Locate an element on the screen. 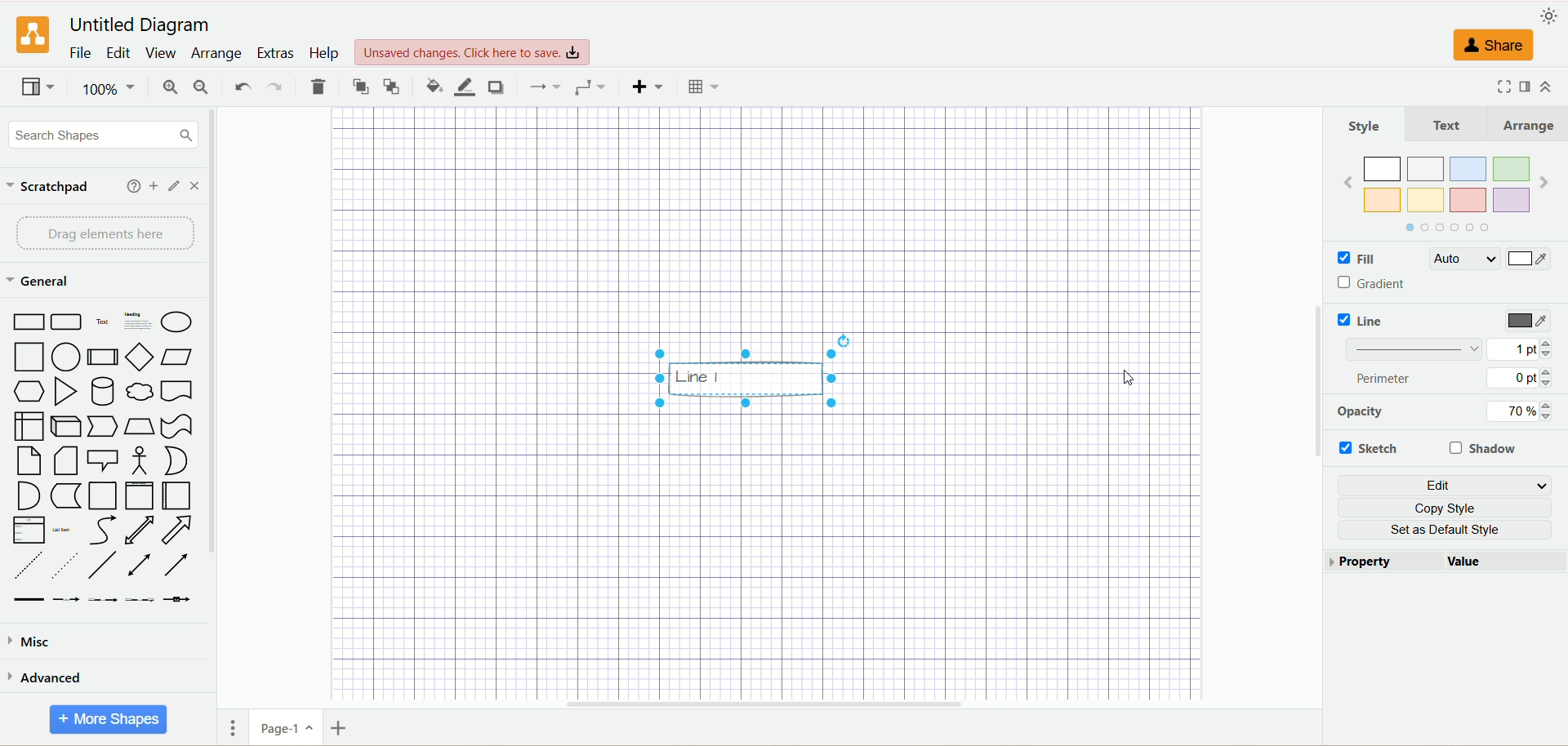  horizontal scroll bar is located at coordinates (763, 705).